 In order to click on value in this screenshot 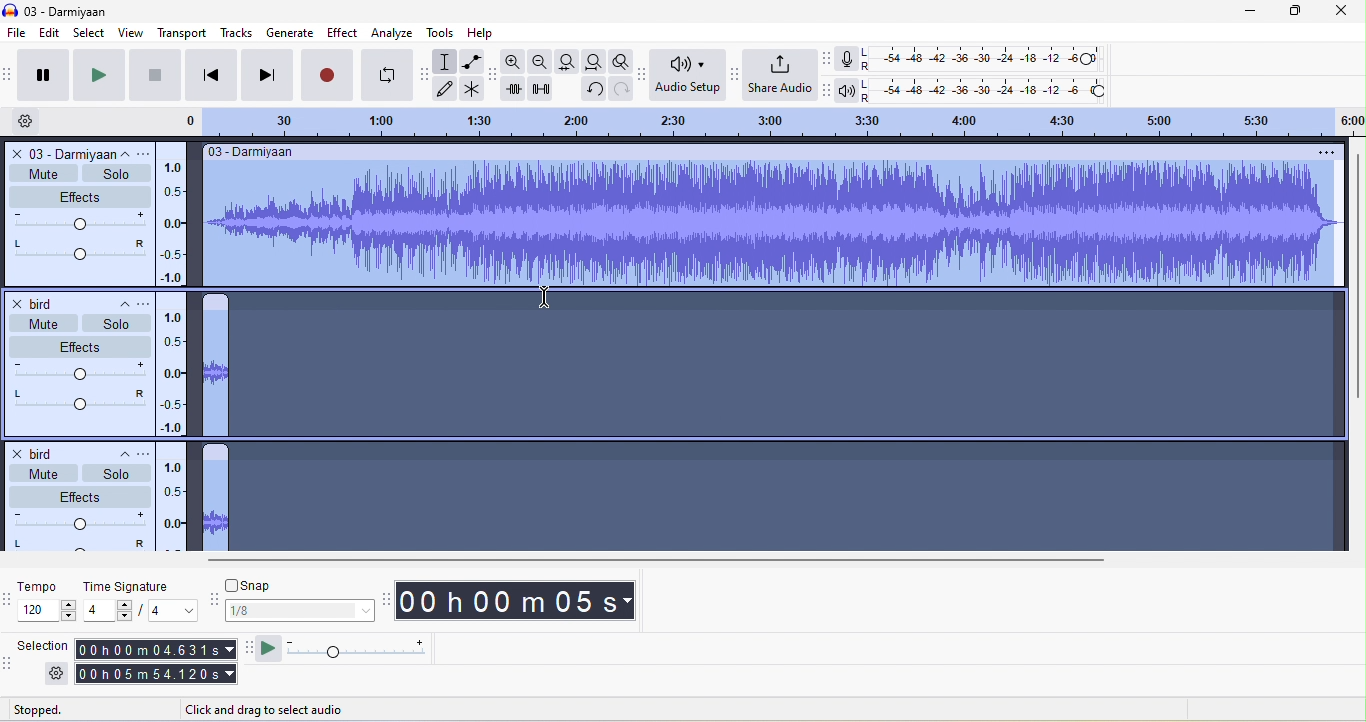, I will do `click(163, 613)`.